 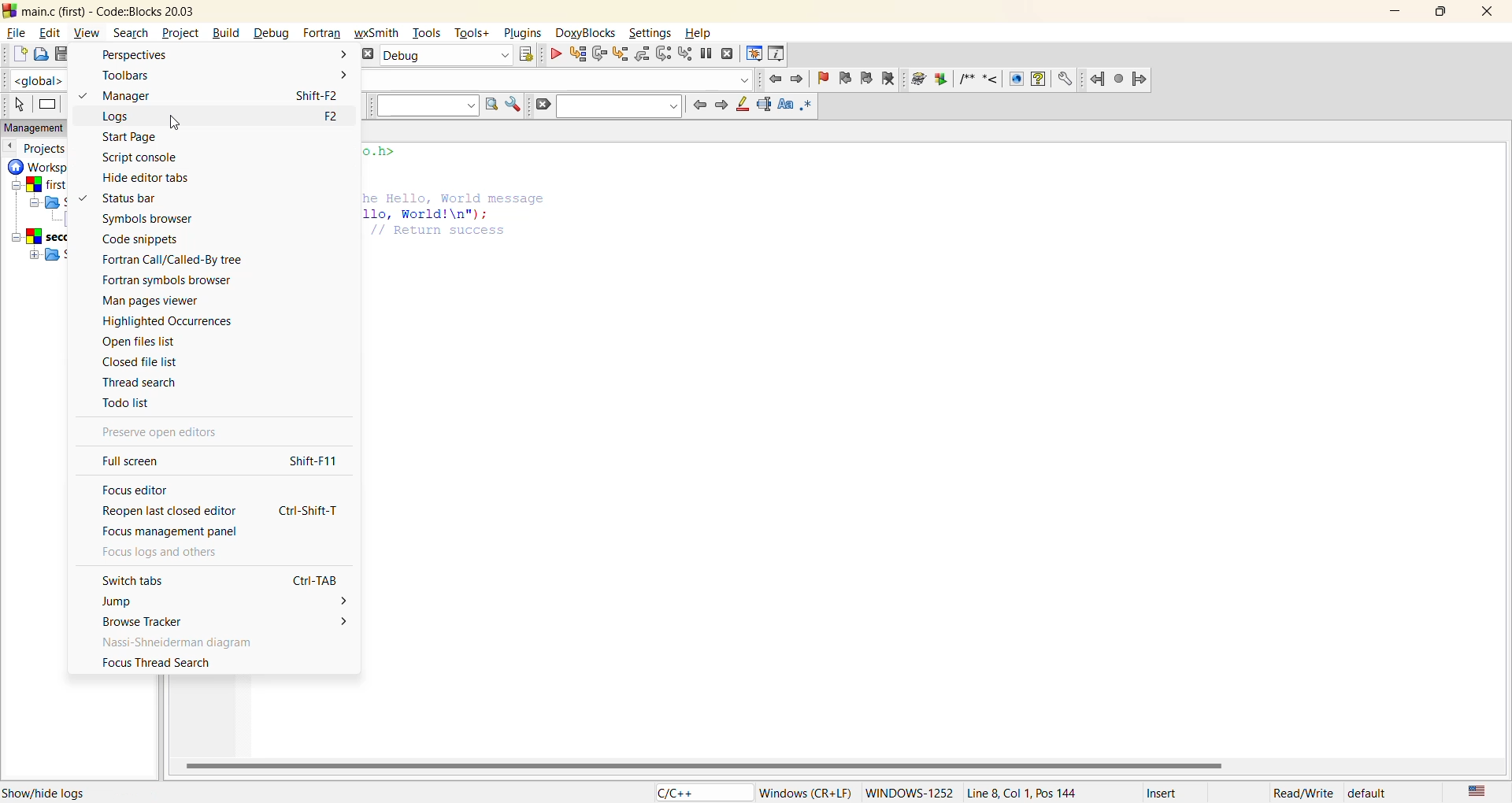 I want to click on doxyblocks, so click(x=585, y=33).